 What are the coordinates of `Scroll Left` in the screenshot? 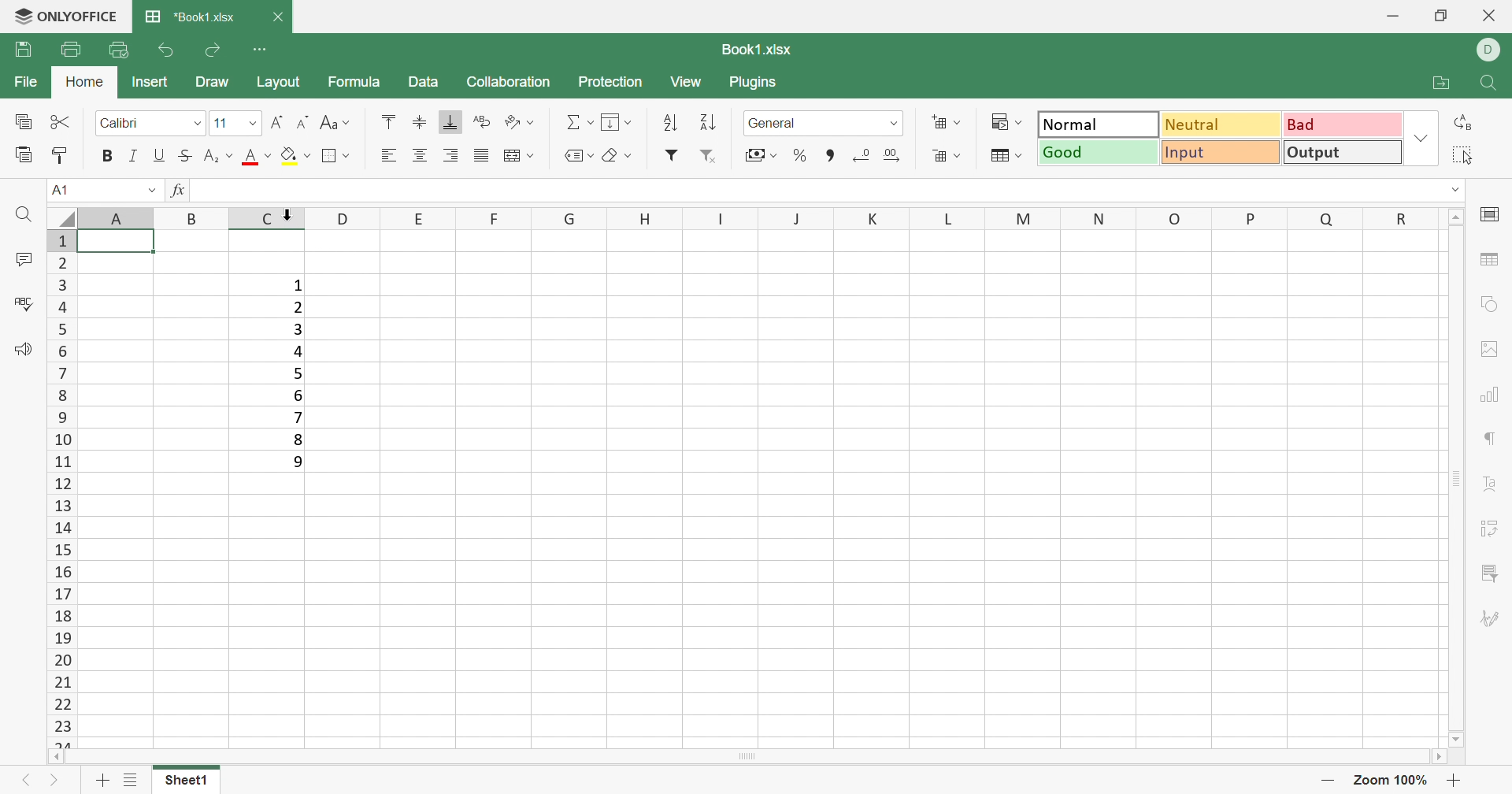 It's located at (55, 758).